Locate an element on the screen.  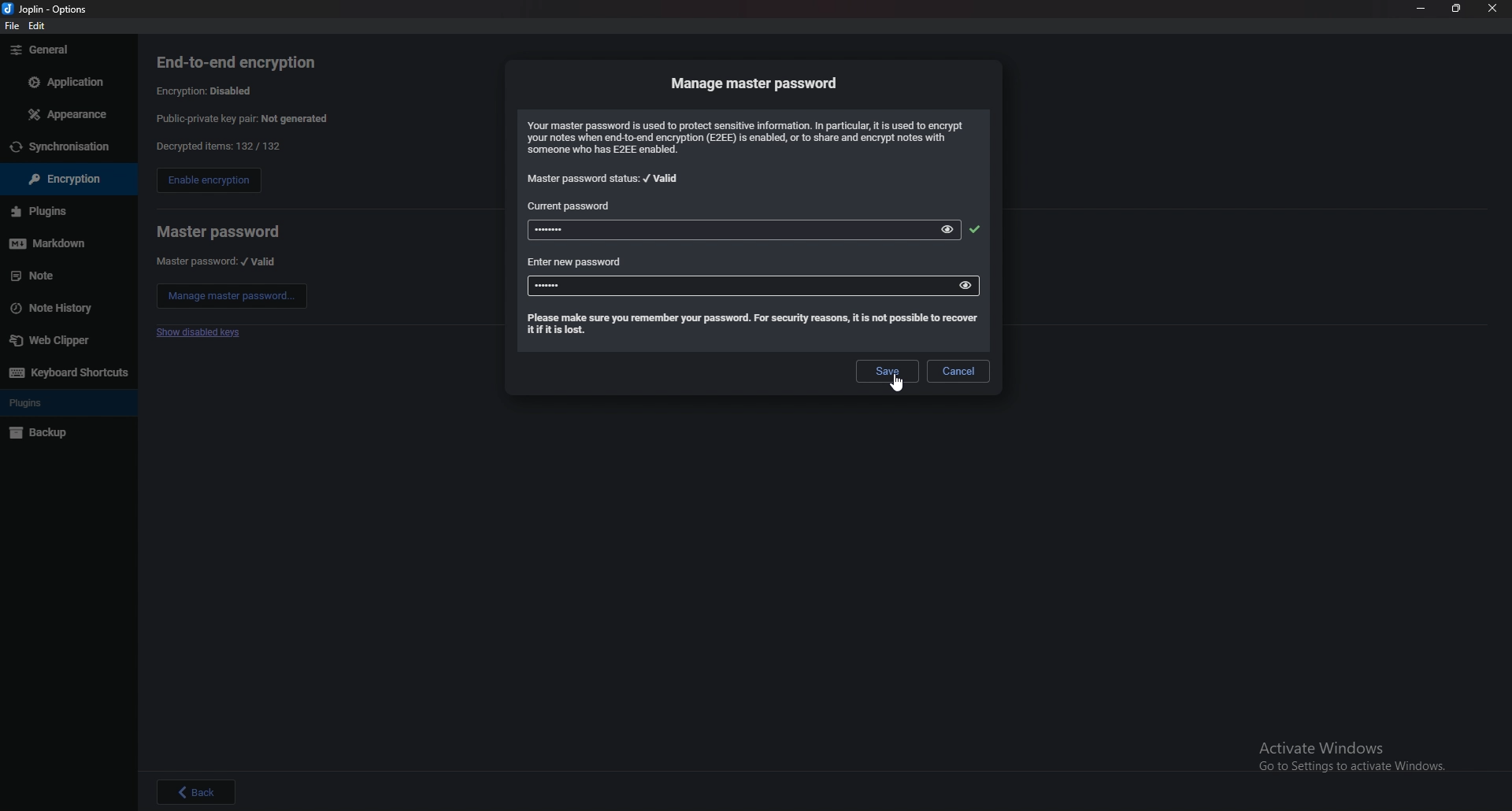
new password is located at coordinates (559, 287).